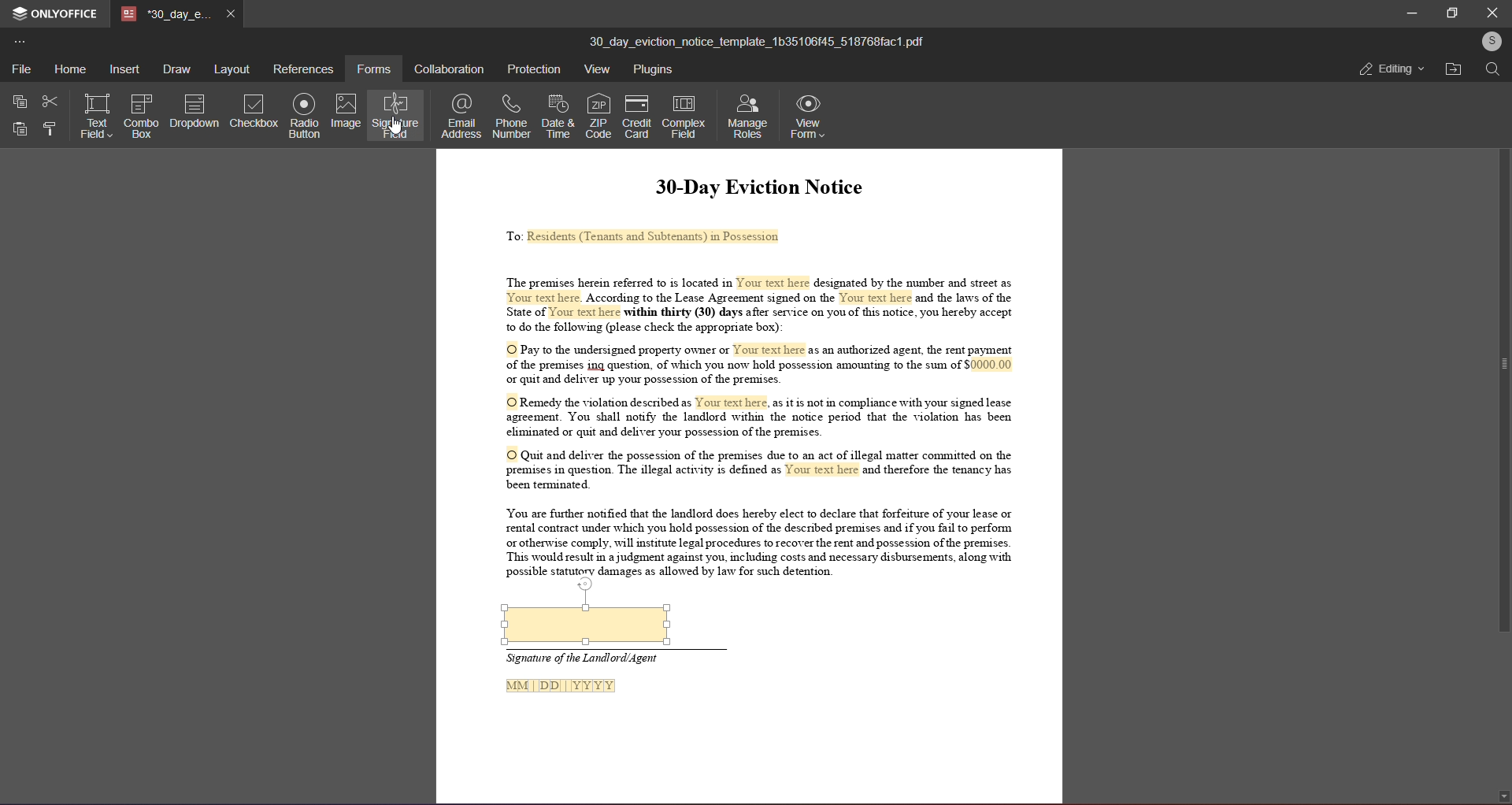 This screenshot has width=1512, height=805. I want to click on close tab, so click(232, 13).